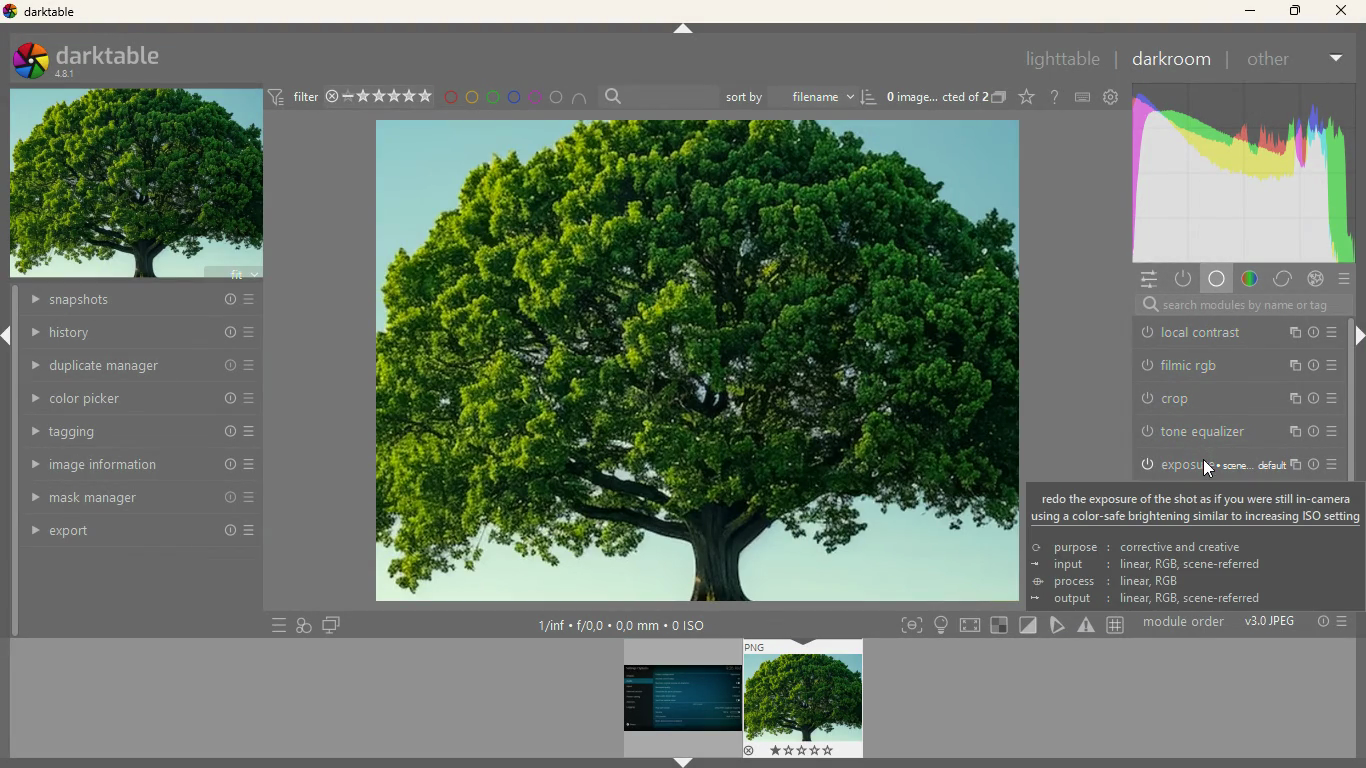 The width and height of the screenshot is (1366, 768). Describe the element at coordinates (799, 97) in the screenshot. I see `sort by filename` at that location.